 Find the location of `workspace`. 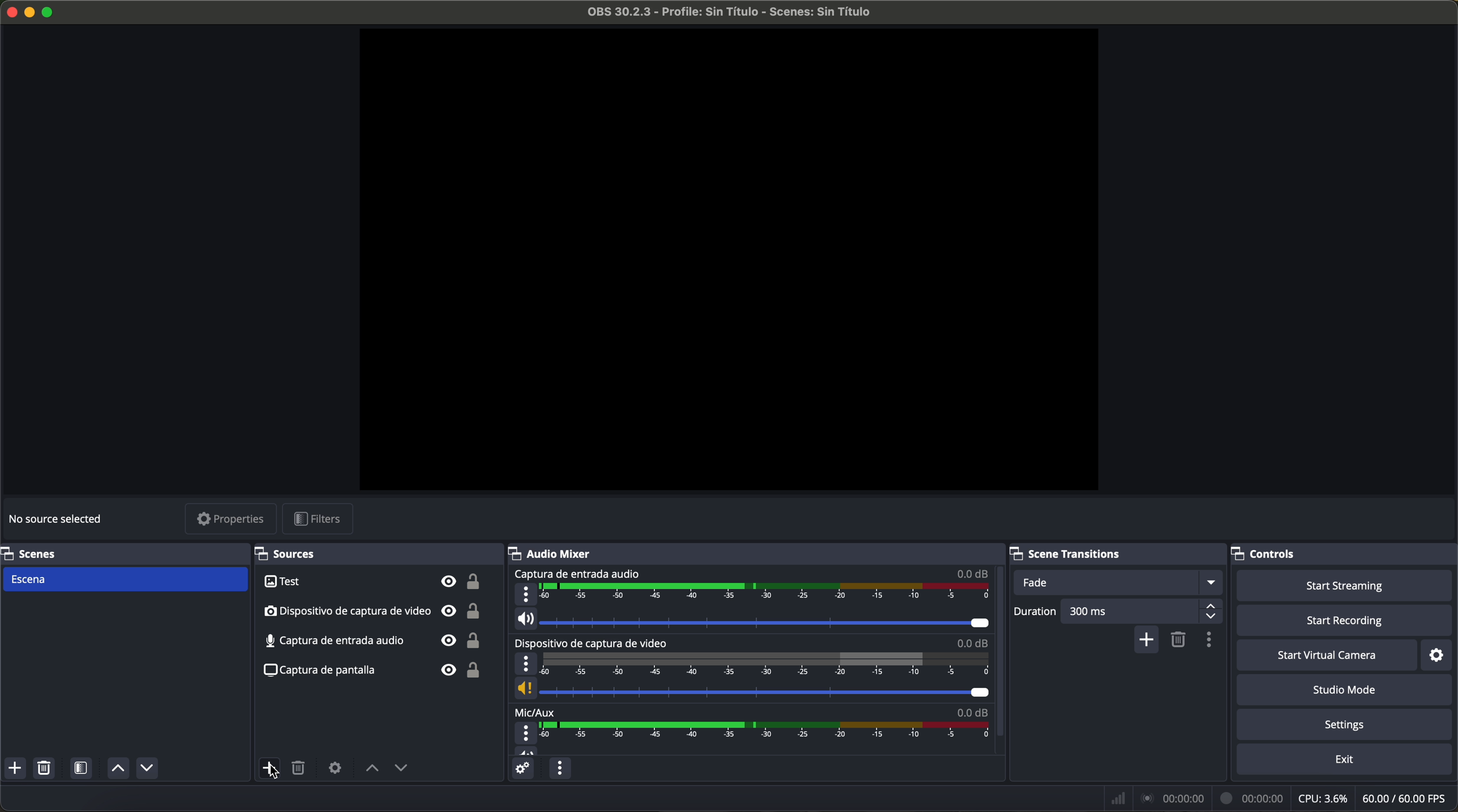

workspace is located at coordinates (730, 263).